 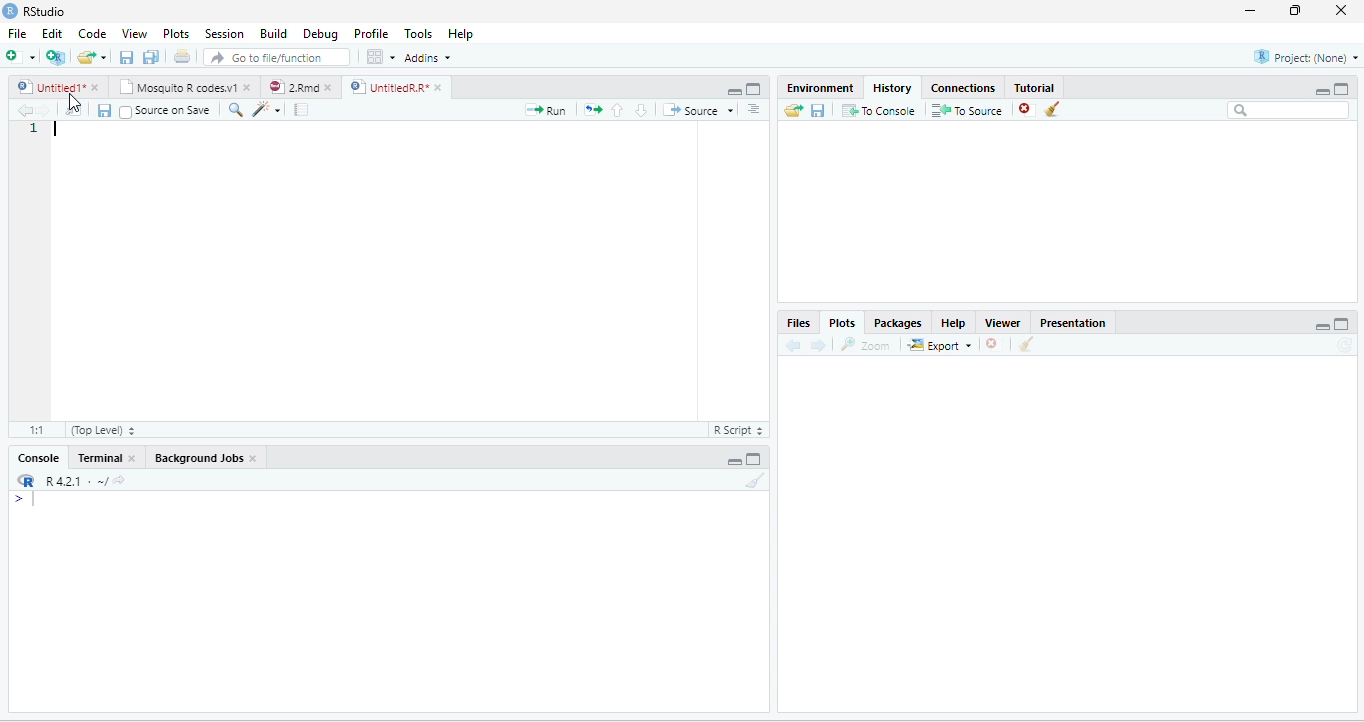 What do you see at coordinates (21, 56) in the screenshot?
I see `New file` at bounding box center [21, 56].